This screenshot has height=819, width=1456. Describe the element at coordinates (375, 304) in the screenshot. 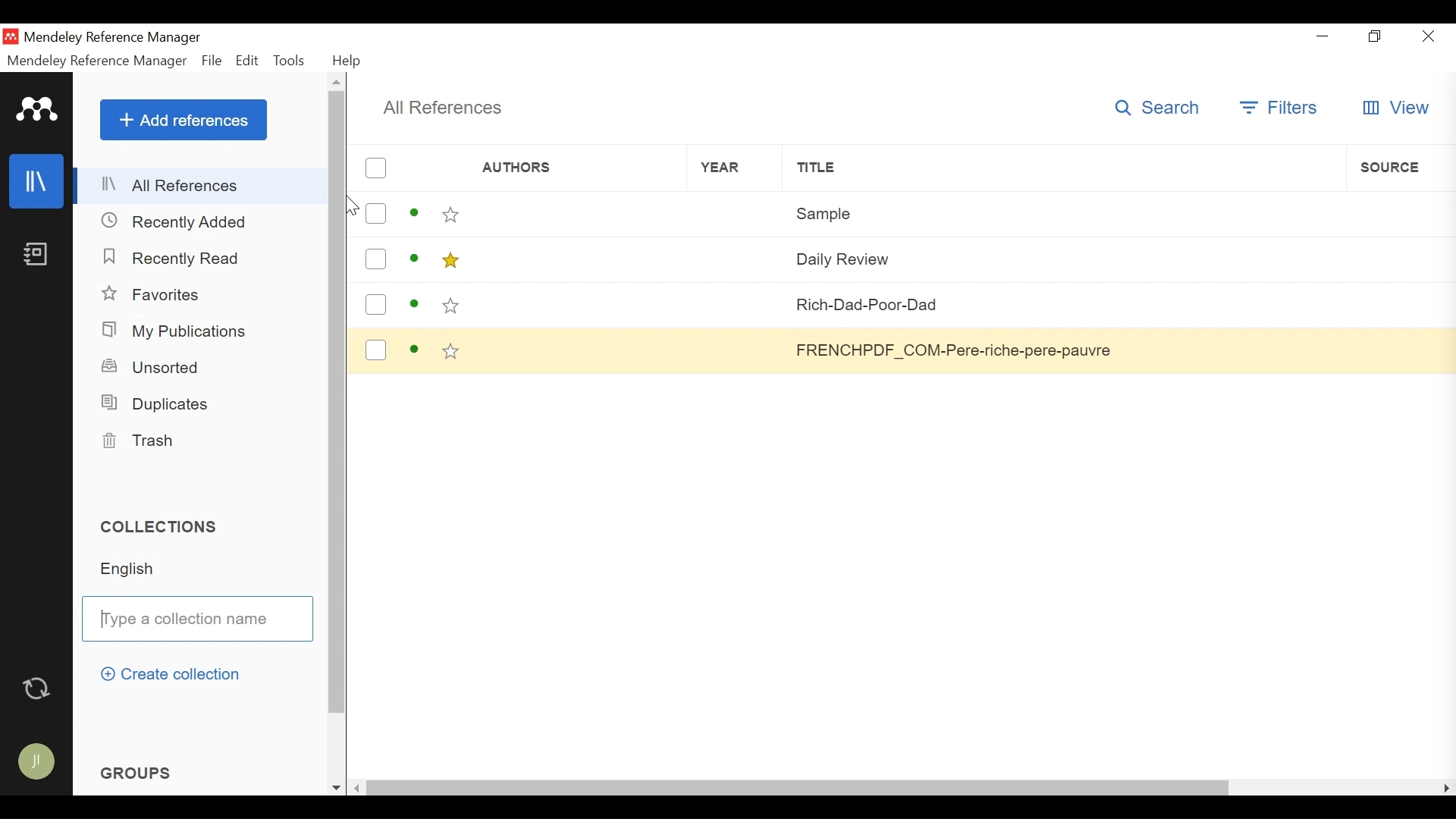

I see `(un)select` at that location.